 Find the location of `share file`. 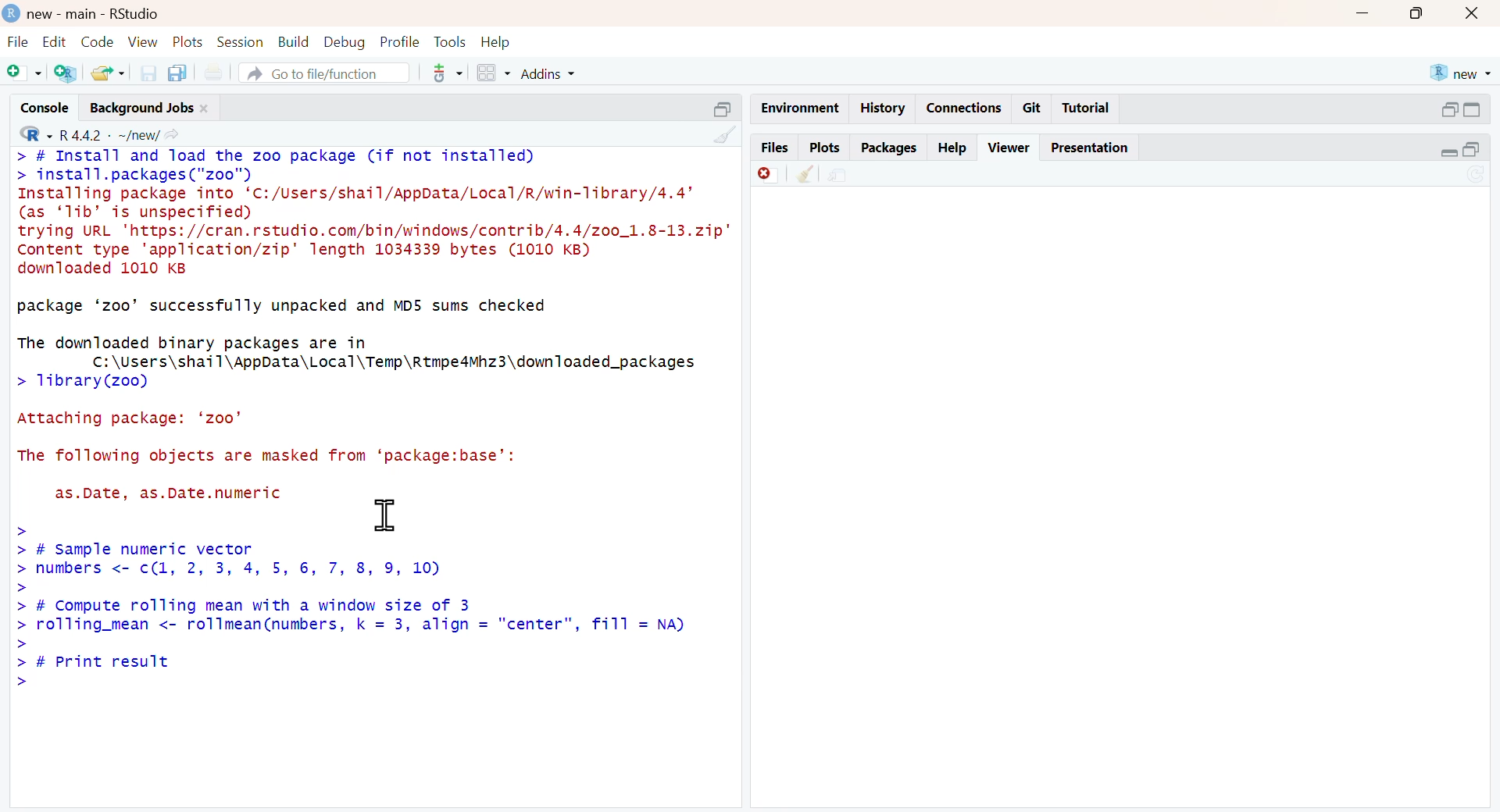

share file is located at coordinates (838, 175).